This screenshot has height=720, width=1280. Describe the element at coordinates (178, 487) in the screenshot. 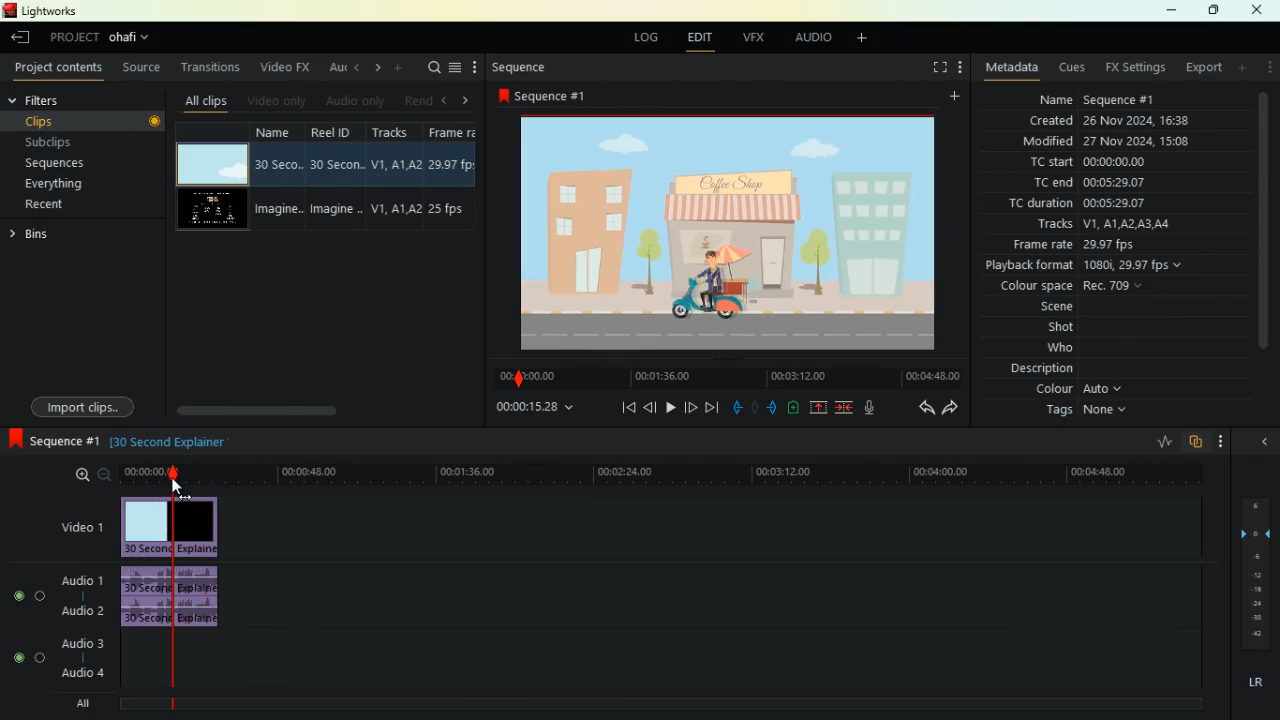

I see `Cursor` at that location.